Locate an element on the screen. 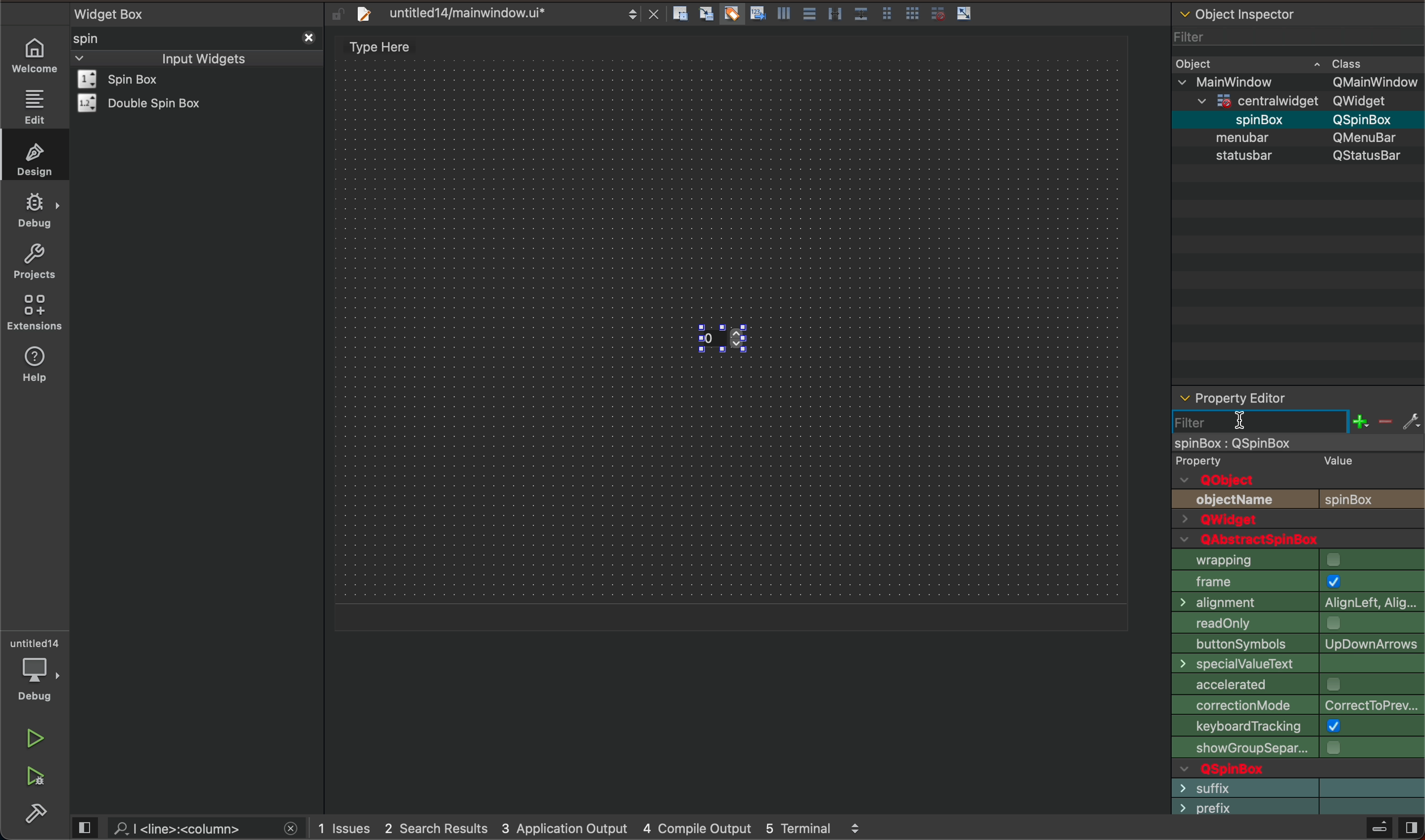 The height and width of the screenshot is (840, 1425). debugger is located at coordinates (37, 670).